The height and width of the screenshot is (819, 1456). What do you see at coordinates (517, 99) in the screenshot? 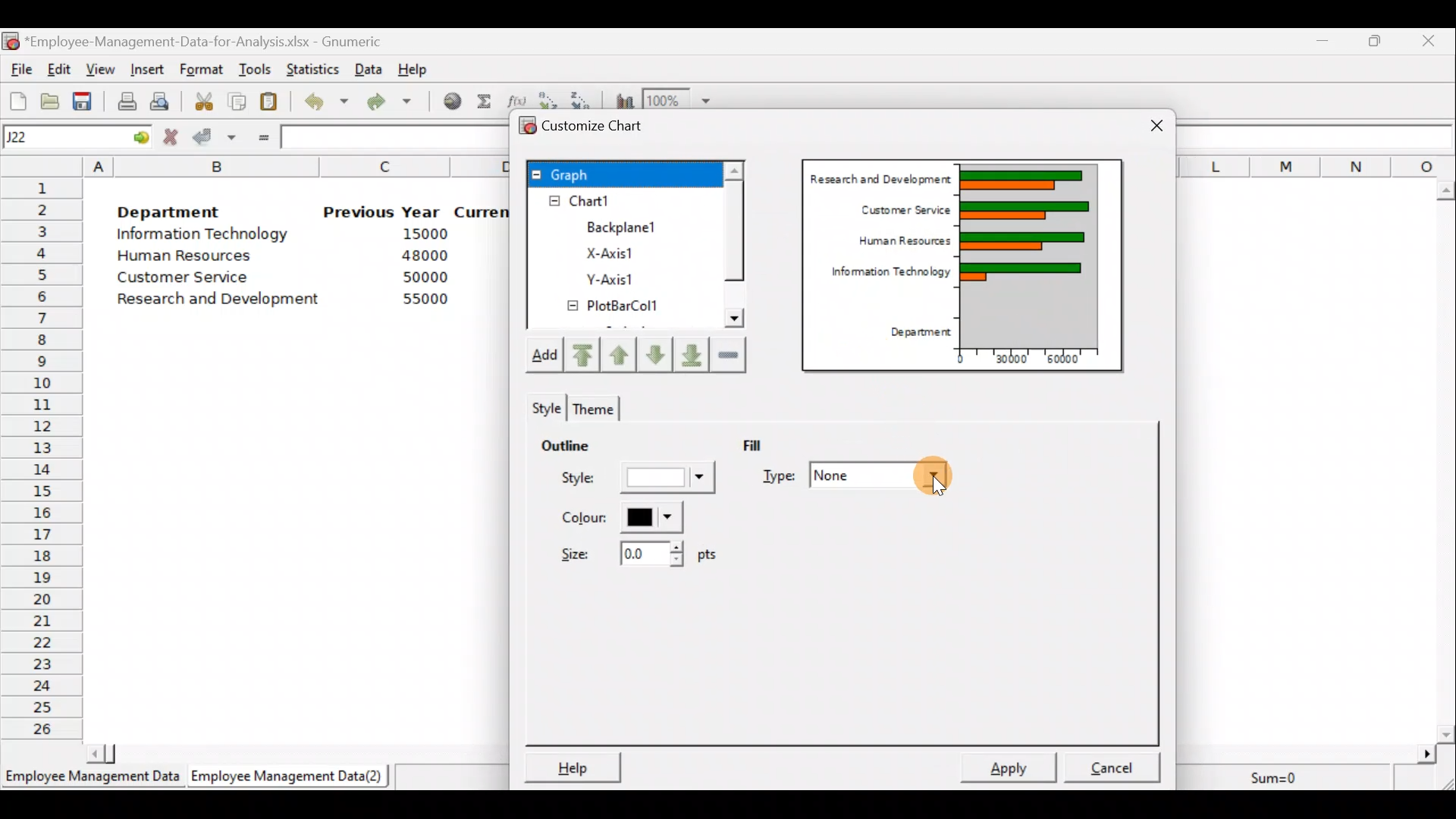
I see `Edit a function in the current cell` at bounding box center [517, 99].